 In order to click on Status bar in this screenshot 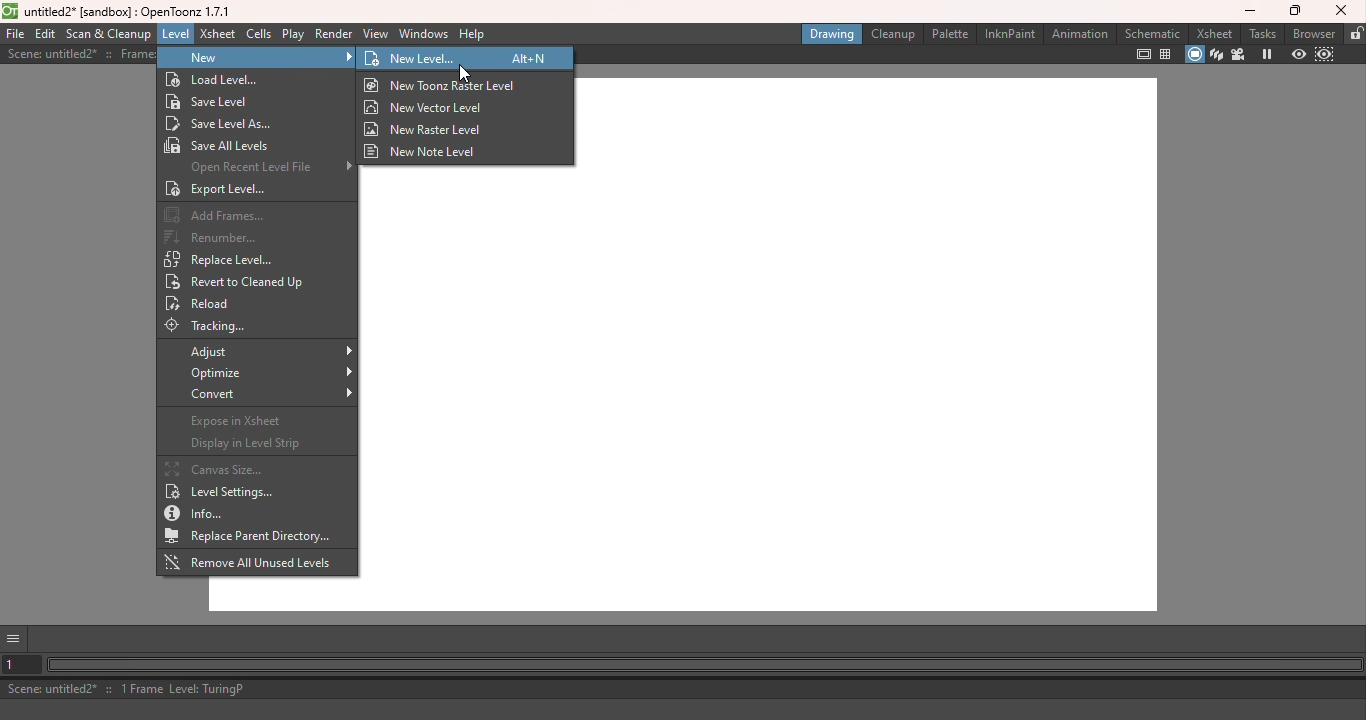, I will do `click(686, 691)`.